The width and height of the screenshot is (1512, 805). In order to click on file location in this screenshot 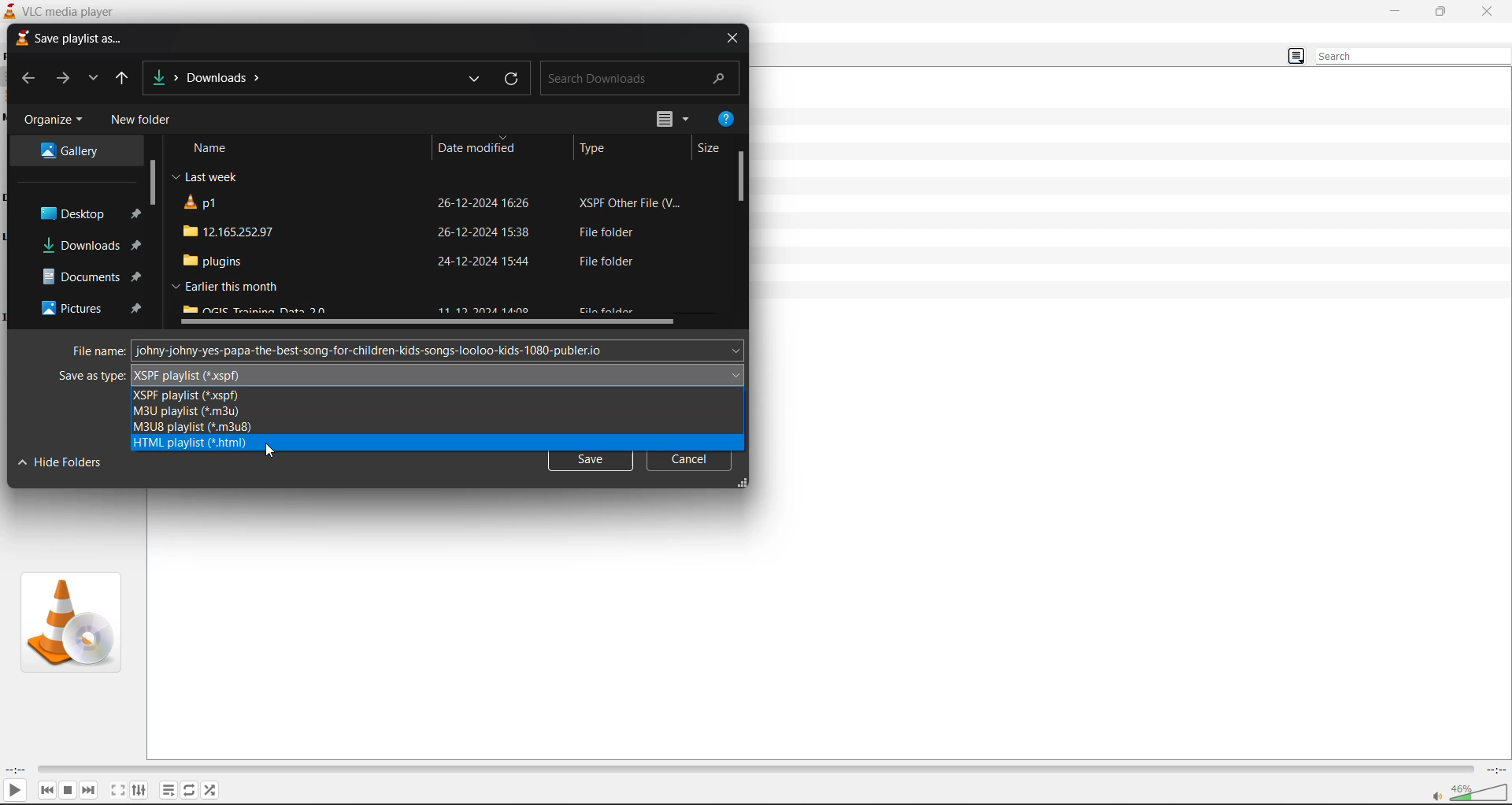, I will do `click(211, 77)`.